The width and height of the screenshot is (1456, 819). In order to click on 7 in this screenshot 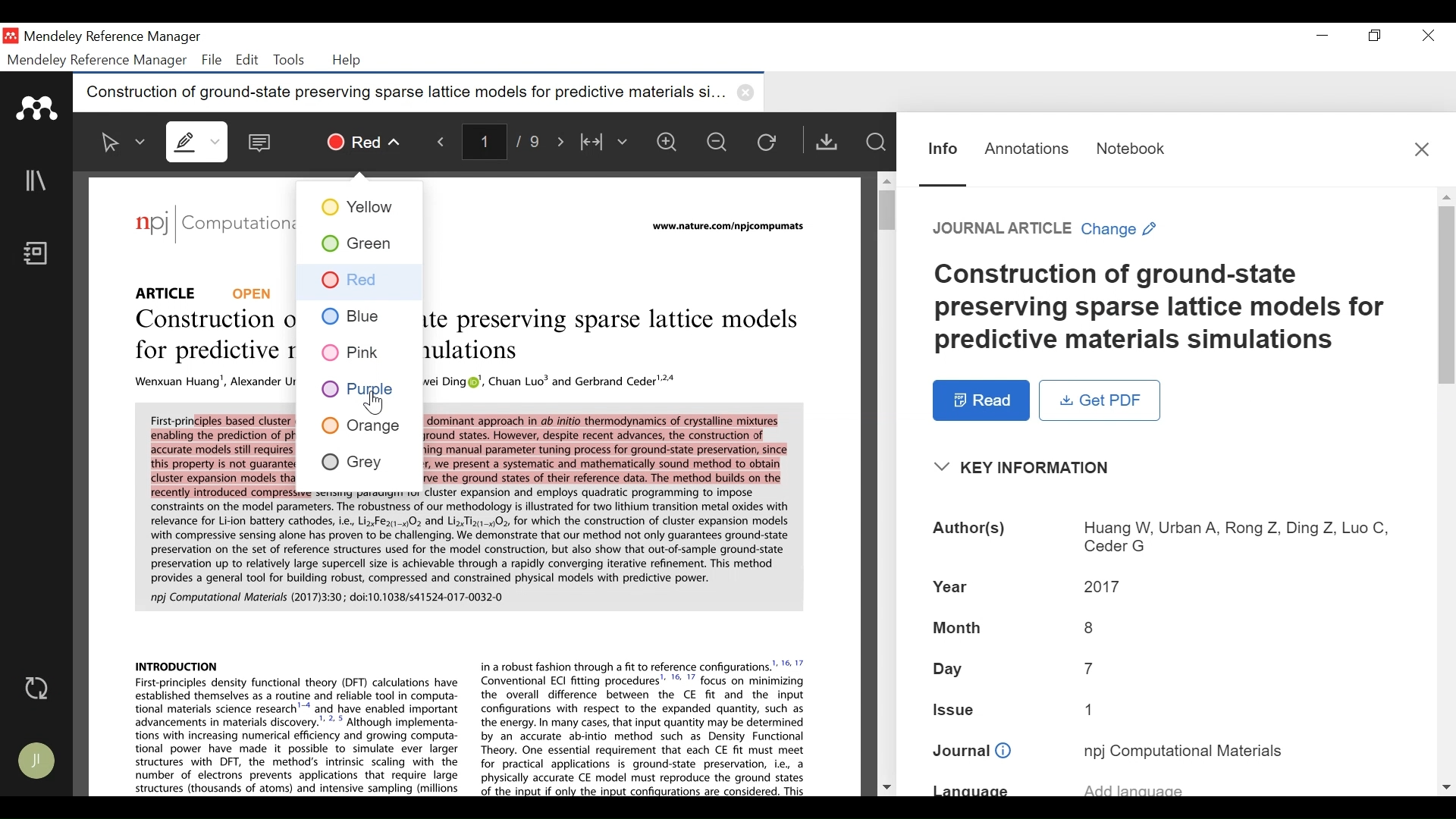, I will do `click(1095, 670)`.